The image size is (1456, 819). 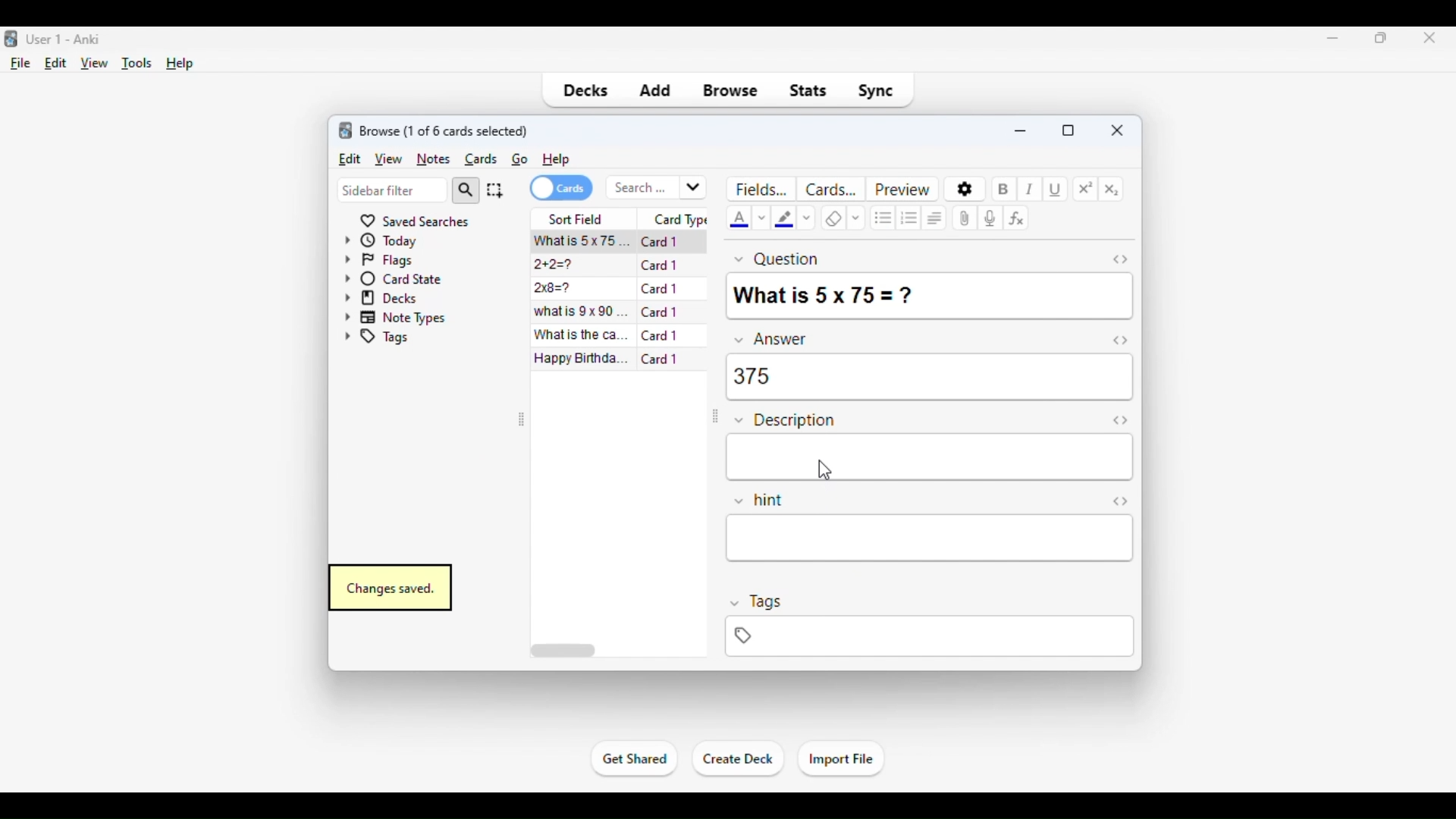 What do you see at coordinates (840, 760) in the screenshot?
I see `import file` at bounding box center [840, 760].